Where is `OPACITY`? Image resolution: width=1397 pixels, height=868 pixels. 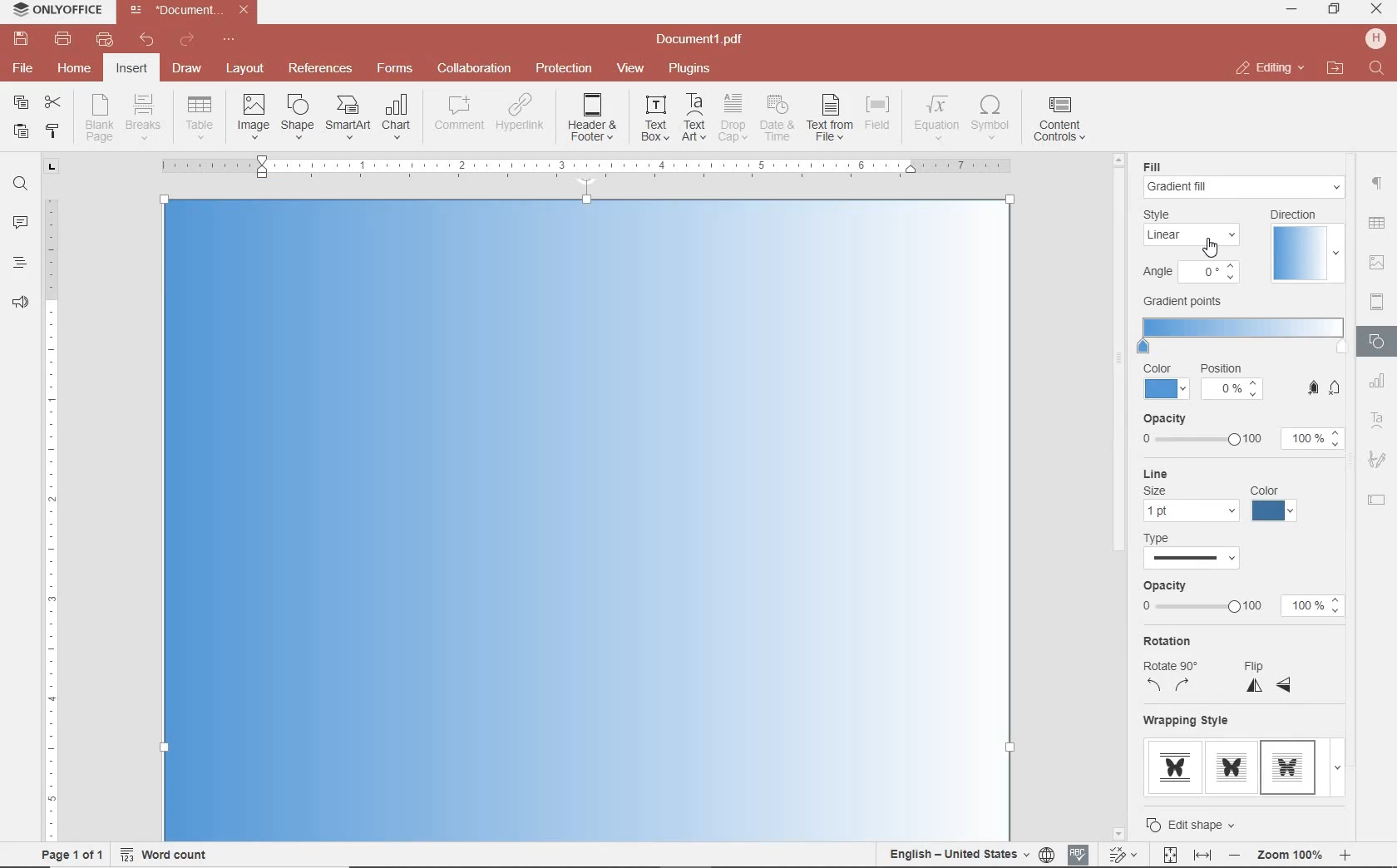 OPACITY is located at coordinates (1241, 429).